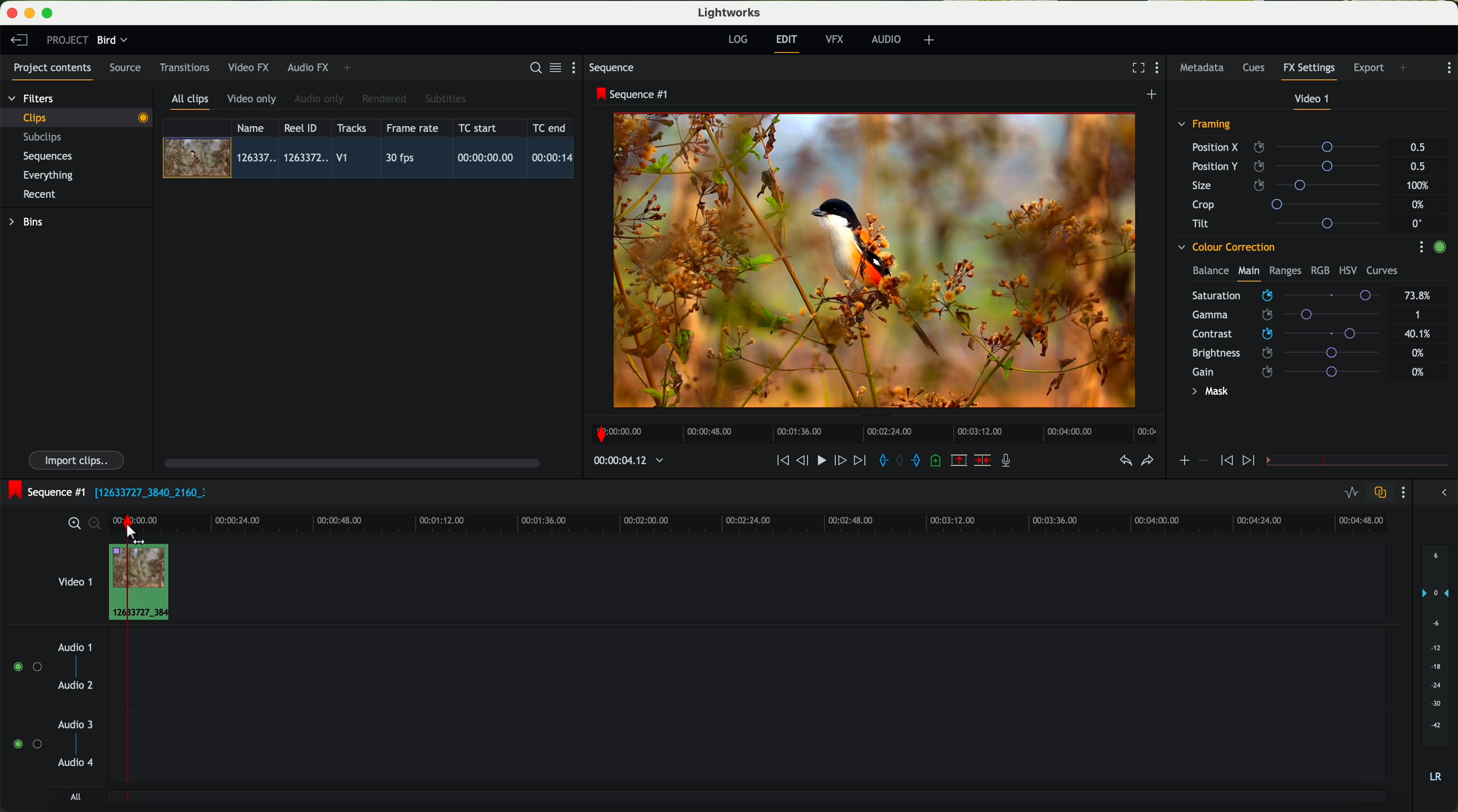 This screenshot has height=812, width=1458. What do you see at coordinates (921, 459) in the screenshot?
I see `add 'out' mark` at bounding box center [921, 459].